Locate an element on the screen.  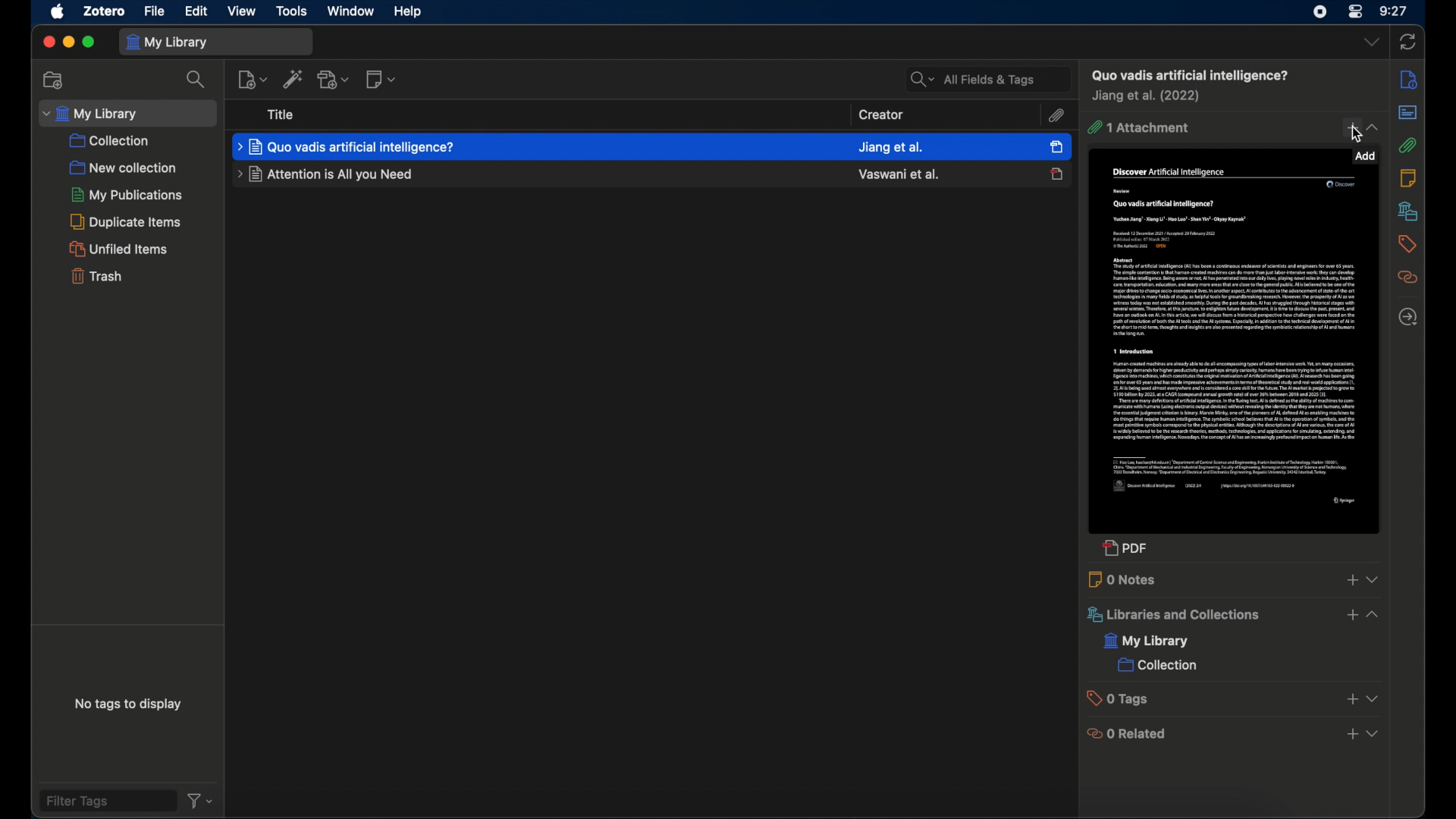
maximize is located at coordinates (90, 43).